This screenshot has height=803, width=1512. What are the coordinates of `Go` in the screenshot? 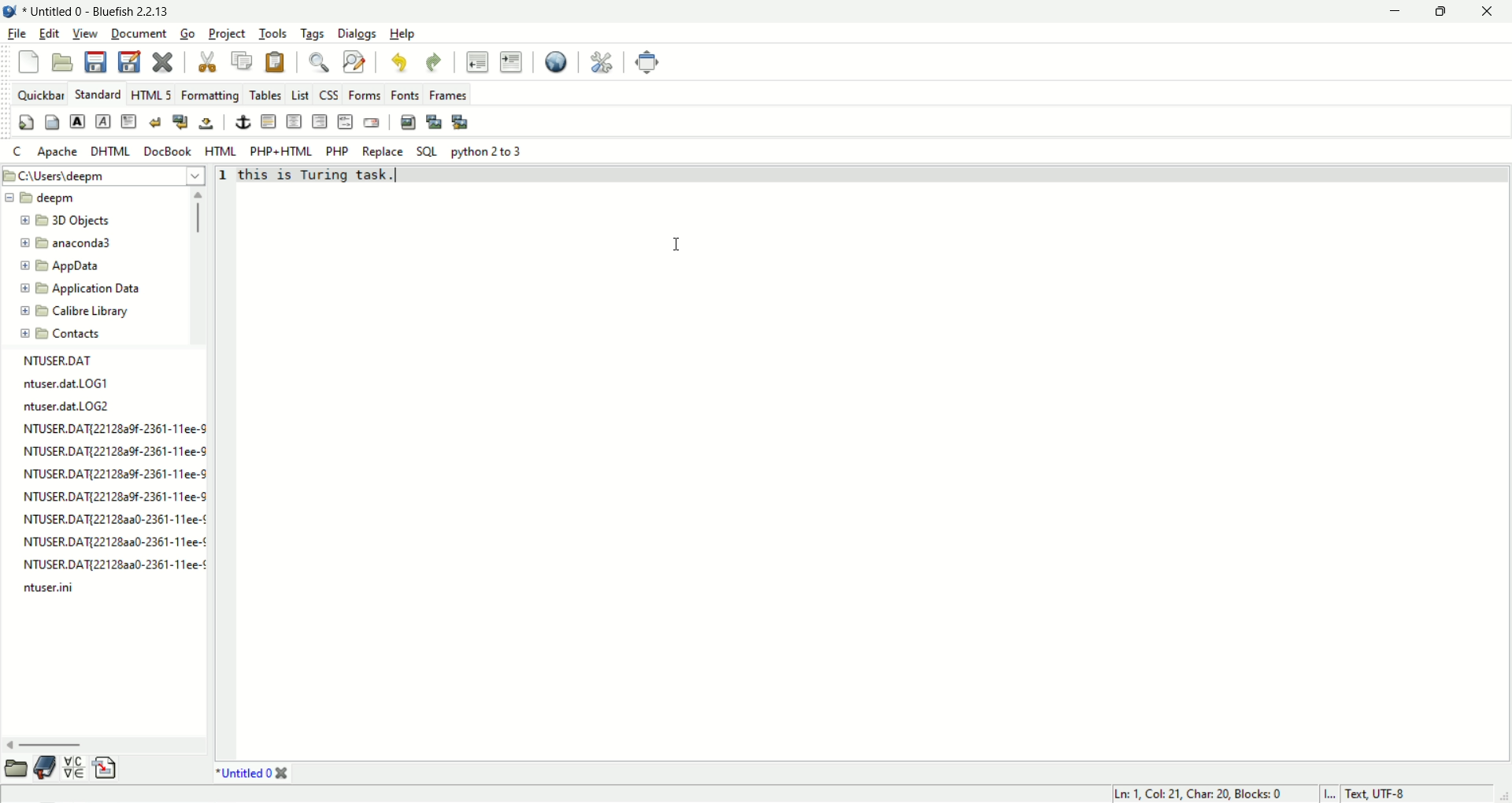 It's located at (191, 34).